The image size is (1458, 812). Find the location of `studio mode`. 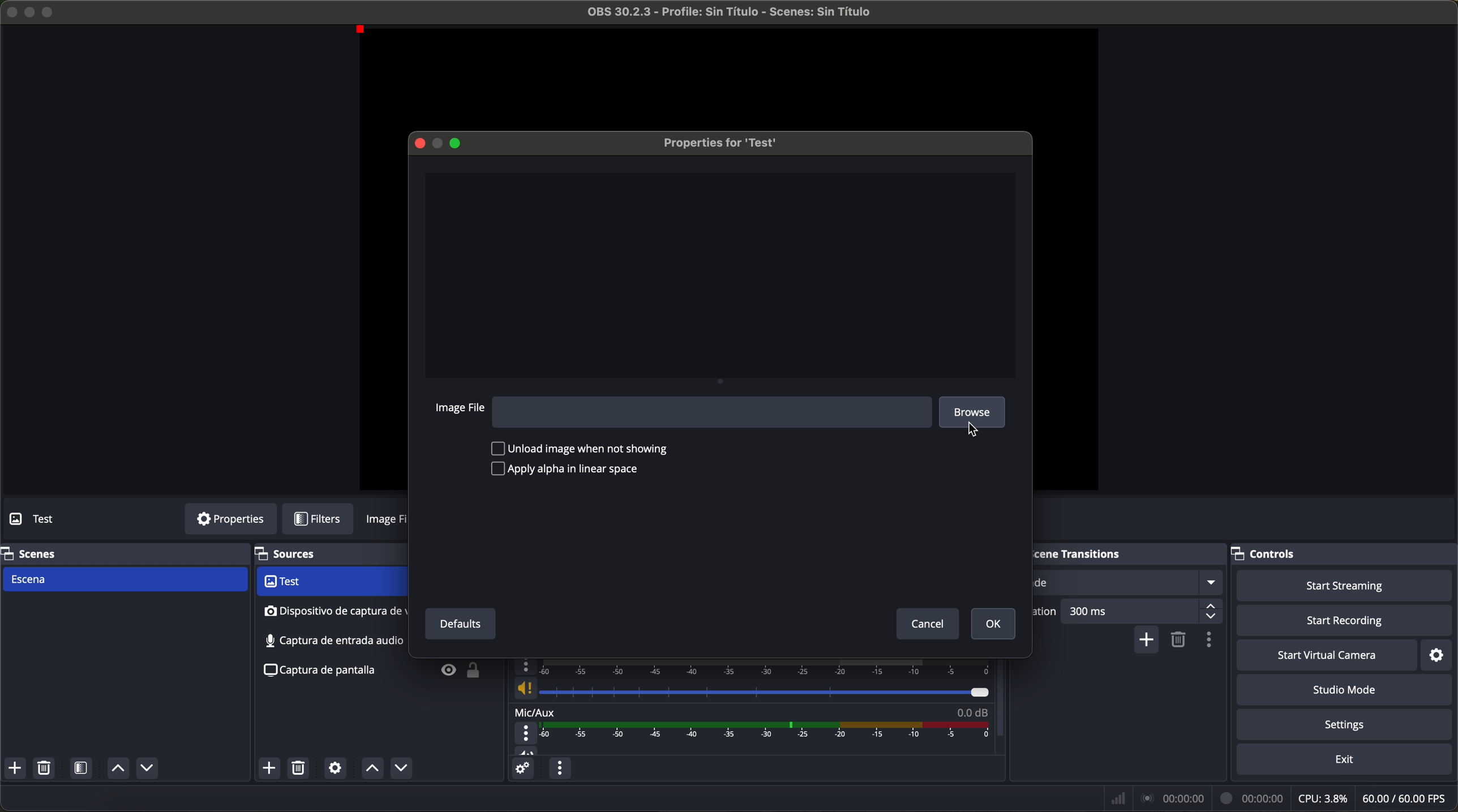

studio mode is located at coordinates (1345, 690).